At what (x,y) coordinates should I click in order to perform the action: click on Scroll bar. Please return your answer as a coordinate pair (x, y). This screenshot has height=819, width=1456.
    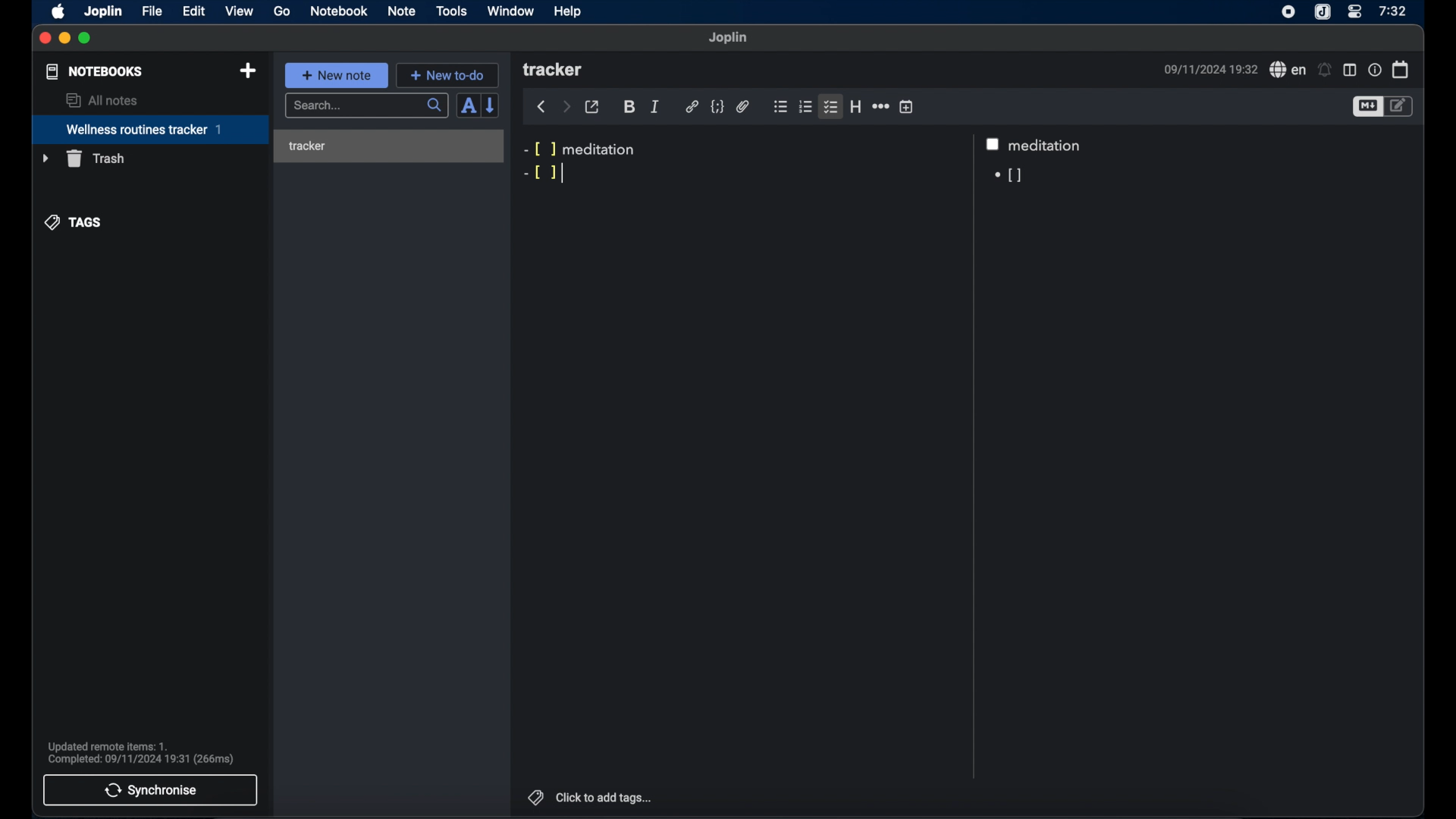
    Looking at the image, I should click on (973, 457).